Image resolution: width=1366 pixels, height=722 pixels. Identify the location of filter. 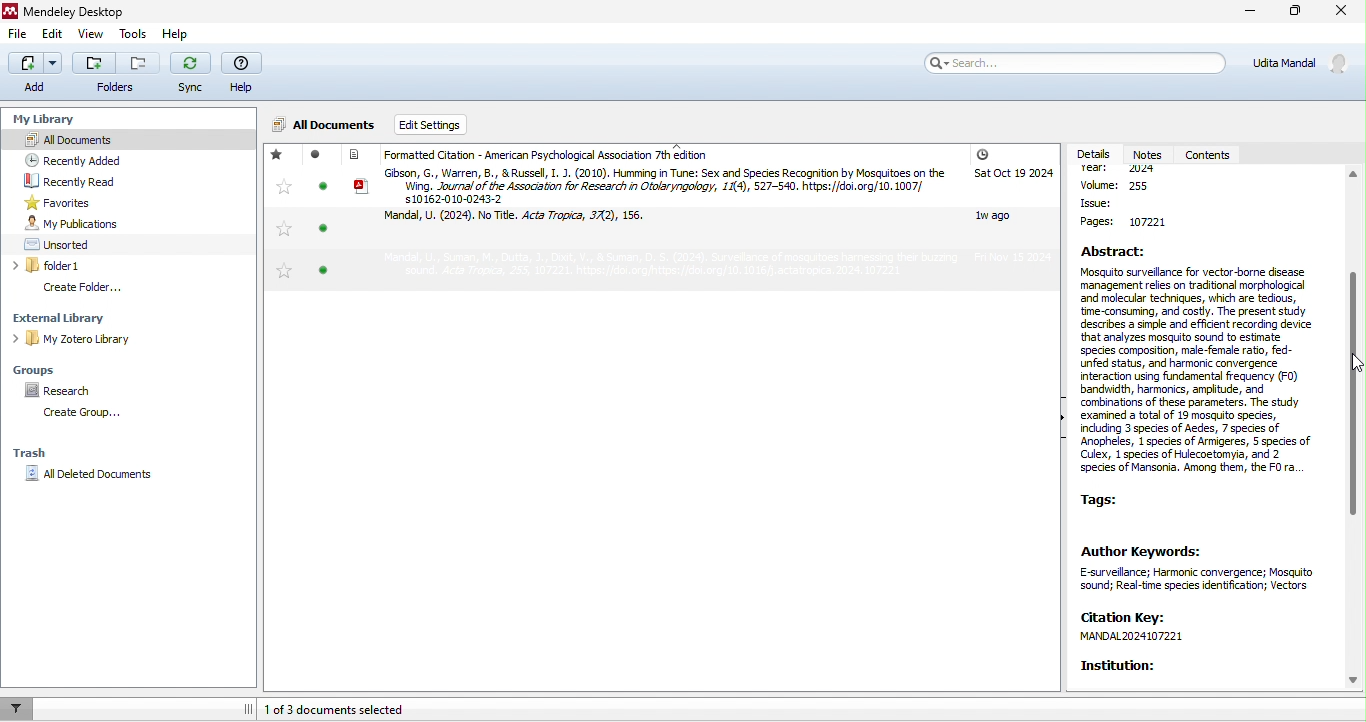
(18, 708).